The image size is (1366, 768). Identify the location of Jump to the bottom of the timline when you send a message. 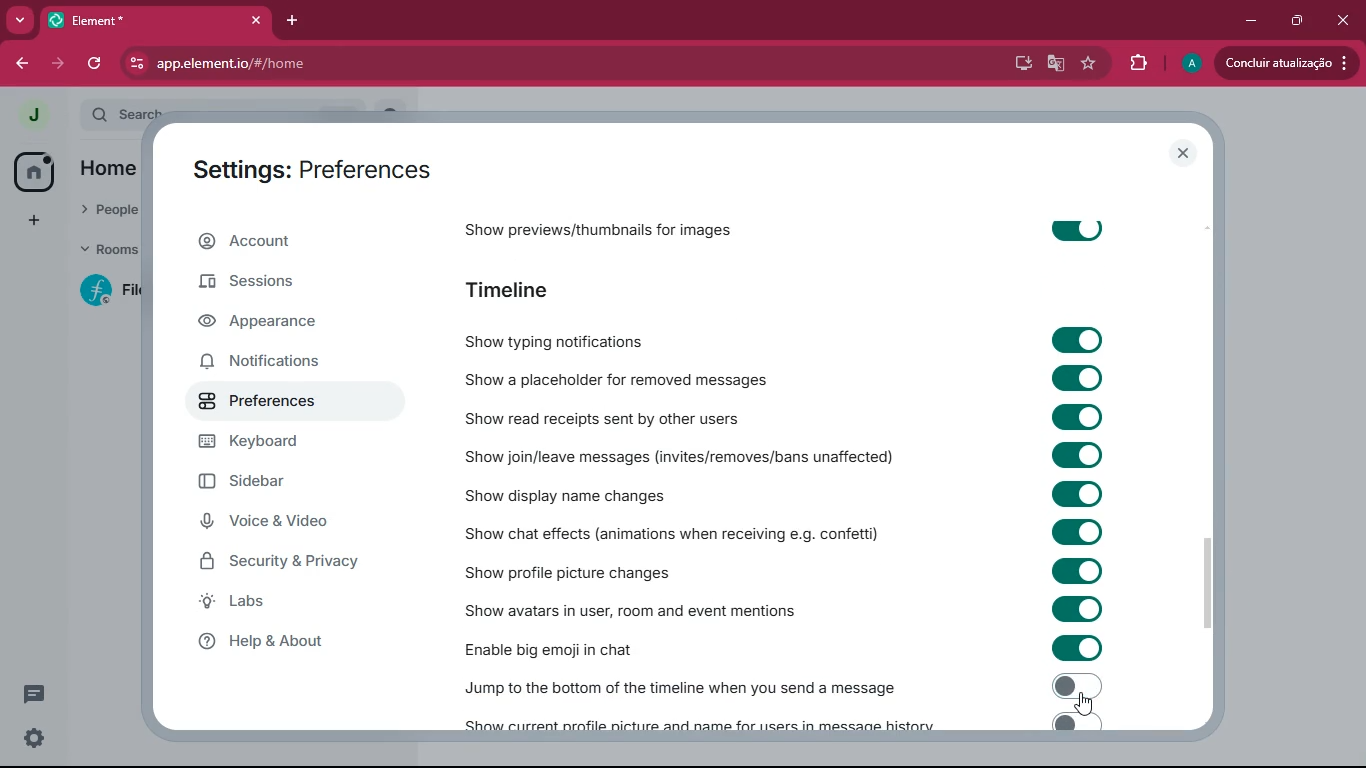
(680, 688).